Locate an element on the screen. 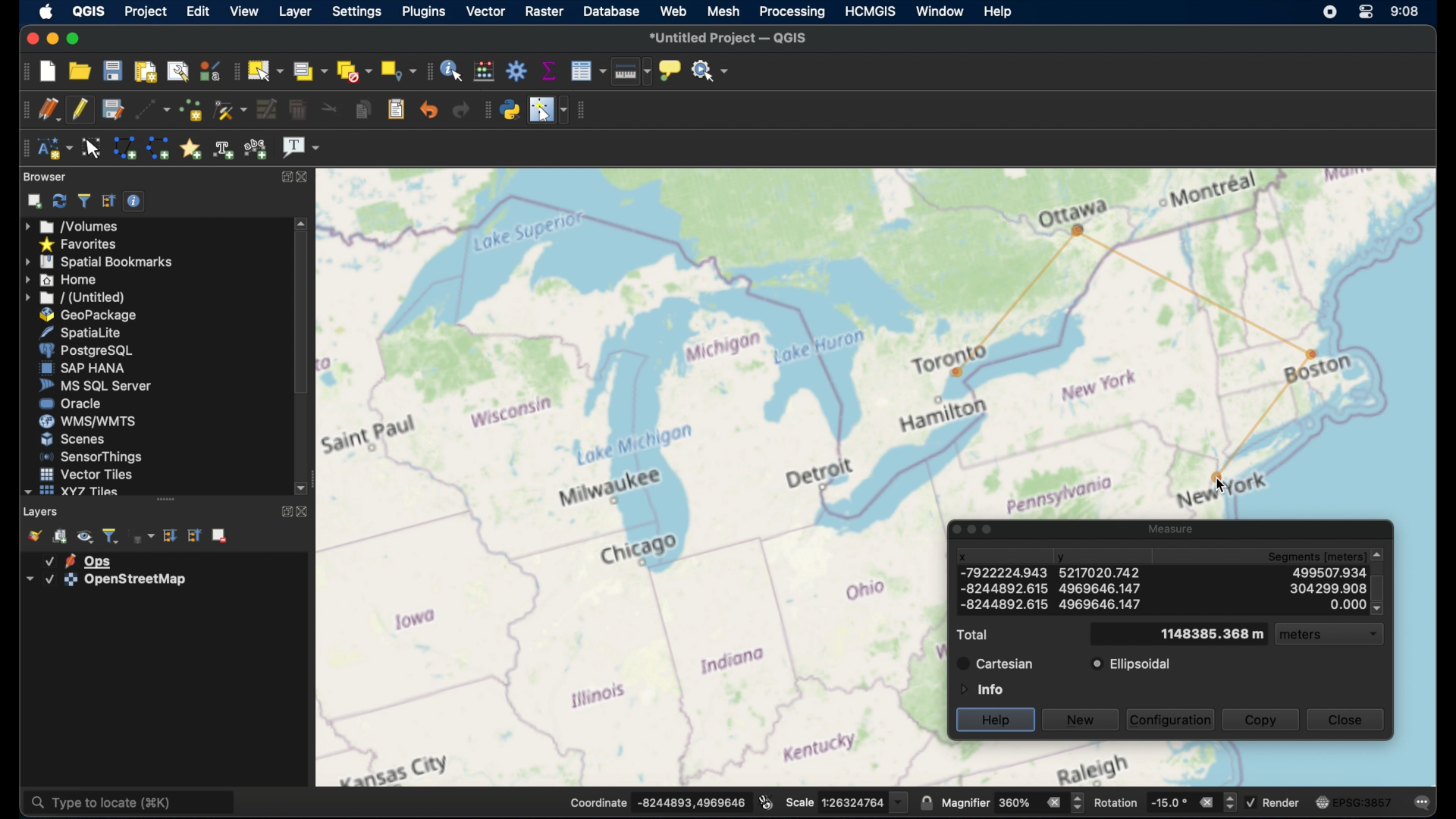 The width and height of the screenshot is (1456, 819). new project is located at coordinates (49, 70).